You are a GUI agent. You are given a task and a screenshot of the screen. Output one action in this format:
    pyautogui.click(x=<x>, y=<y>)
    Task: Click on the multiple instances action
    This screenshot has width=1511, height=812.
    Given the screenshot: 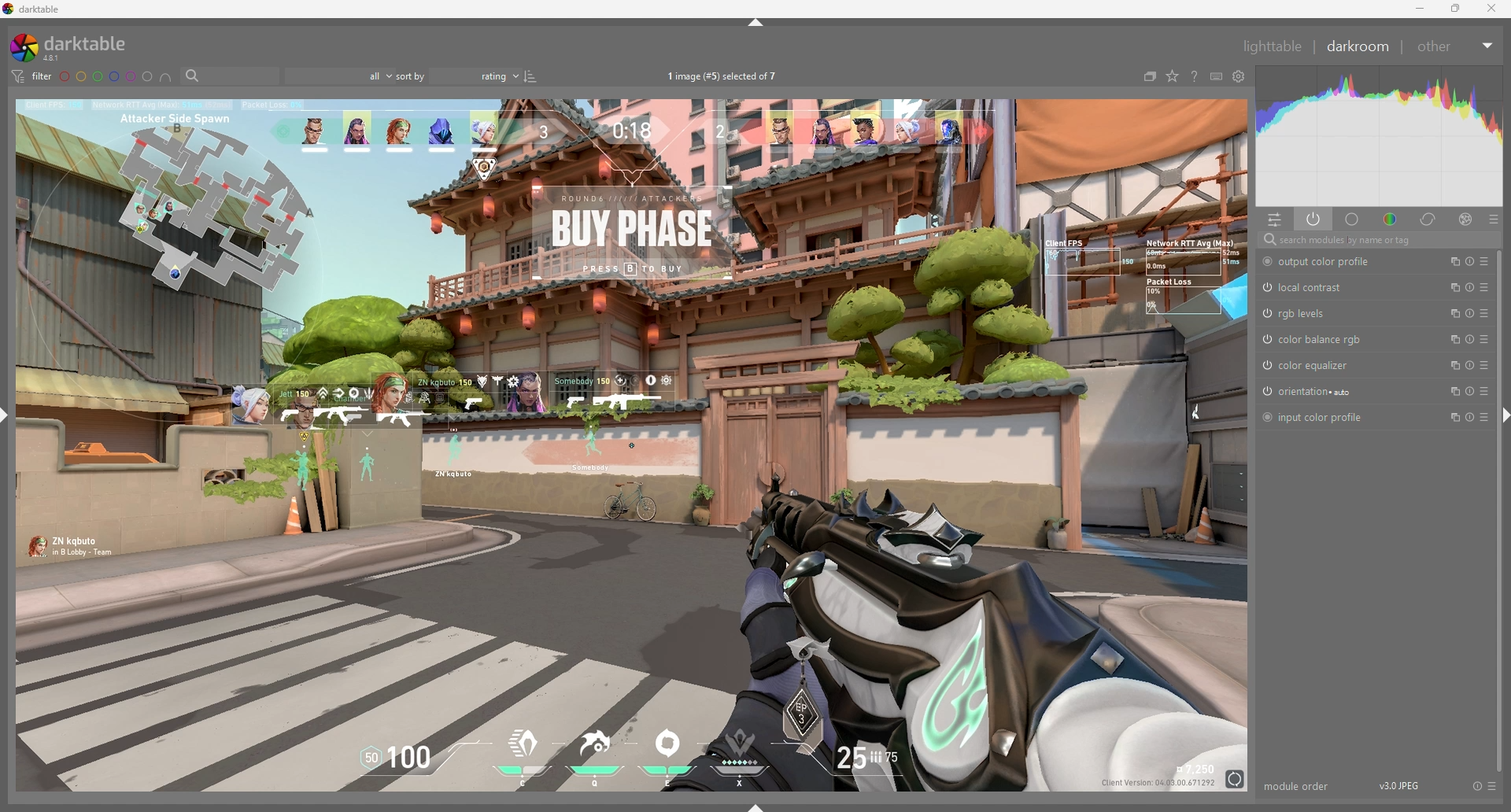 What is the action you would take?
    pyautogui.click(x=1451, y=365)
    